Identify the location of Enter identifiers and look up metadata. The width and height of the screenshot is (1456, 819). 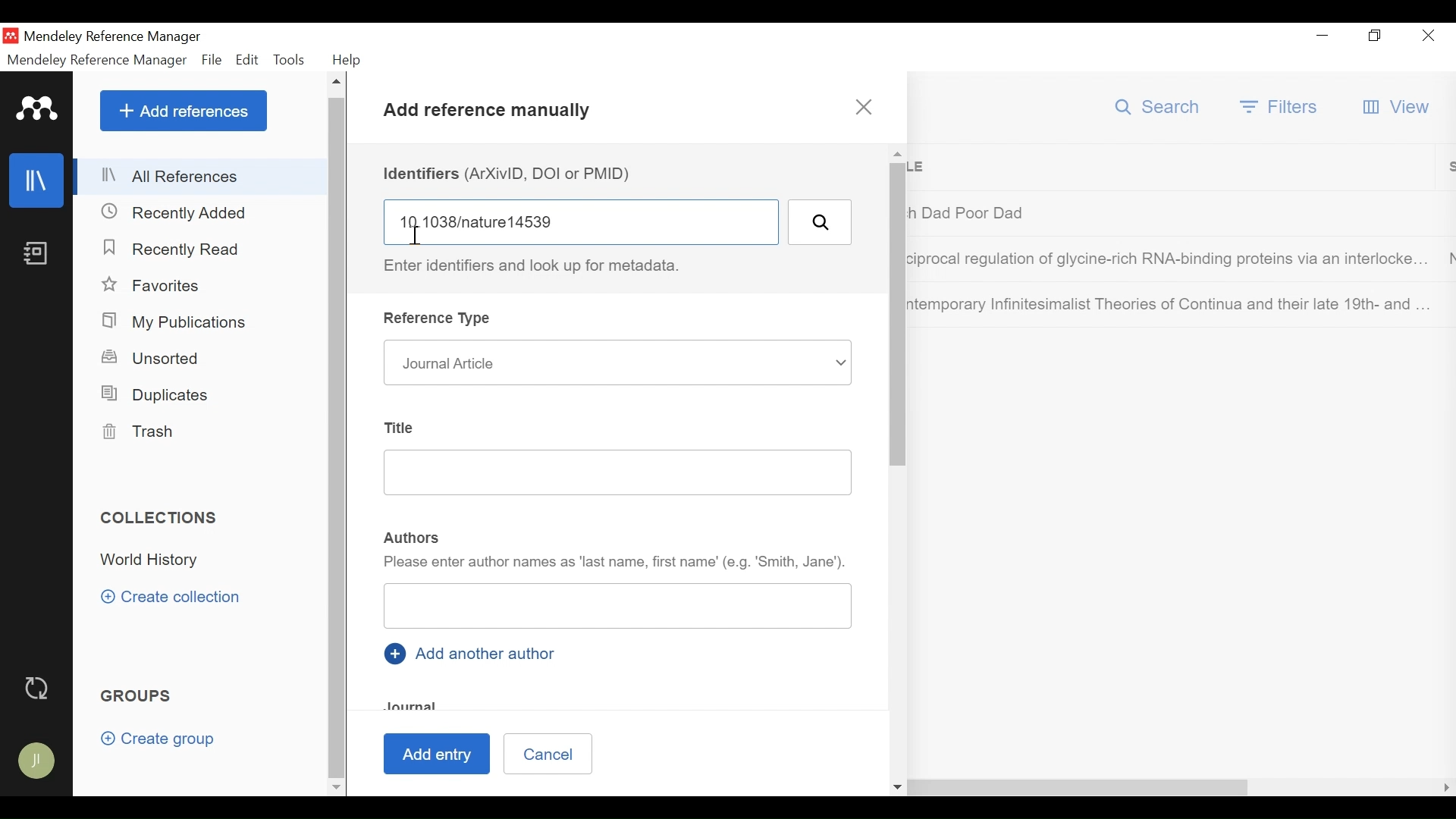
(540, 266).